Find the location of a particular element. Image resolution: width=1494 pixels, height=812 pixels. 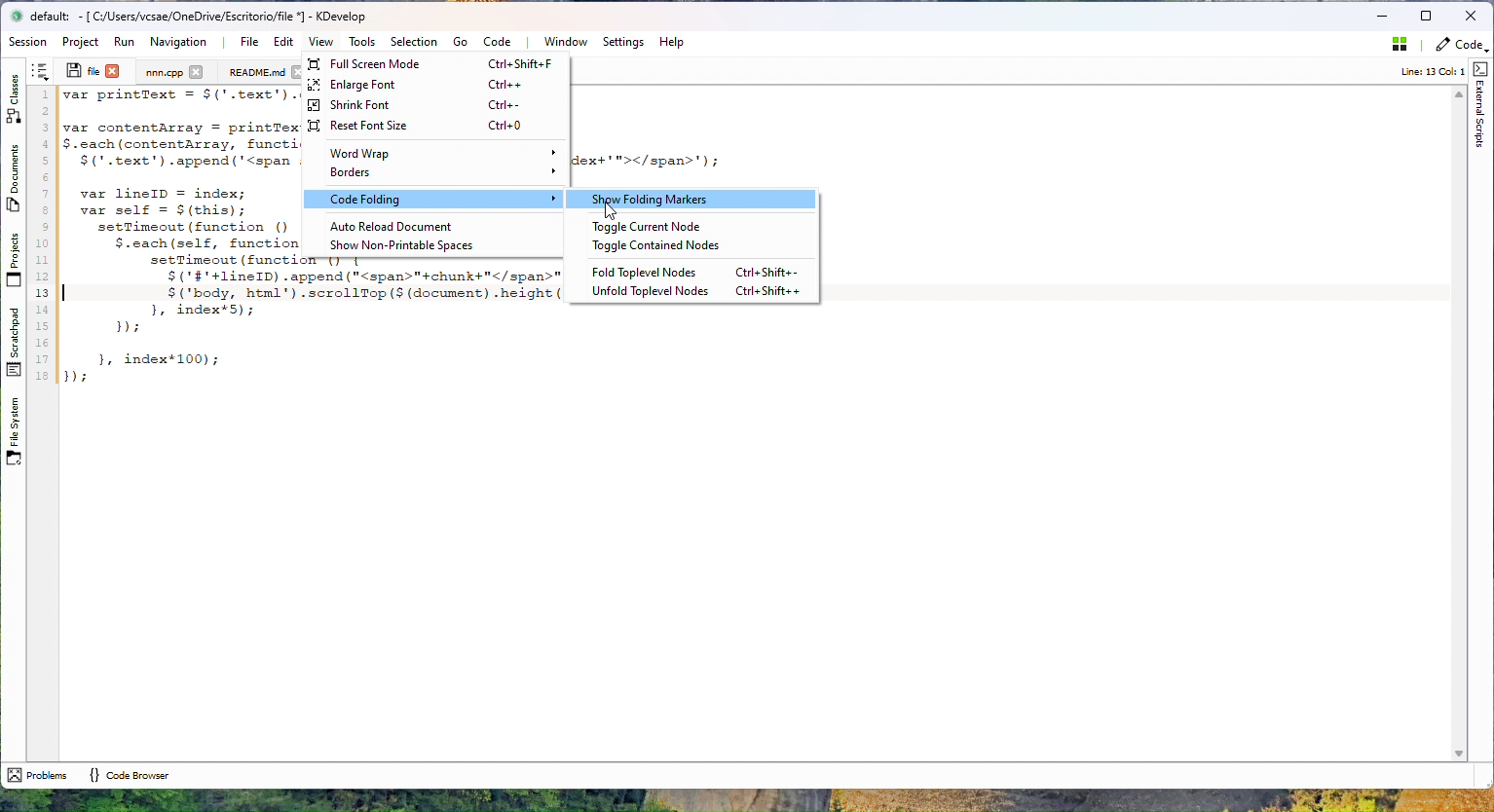

close is located at coordinates (196, 71).